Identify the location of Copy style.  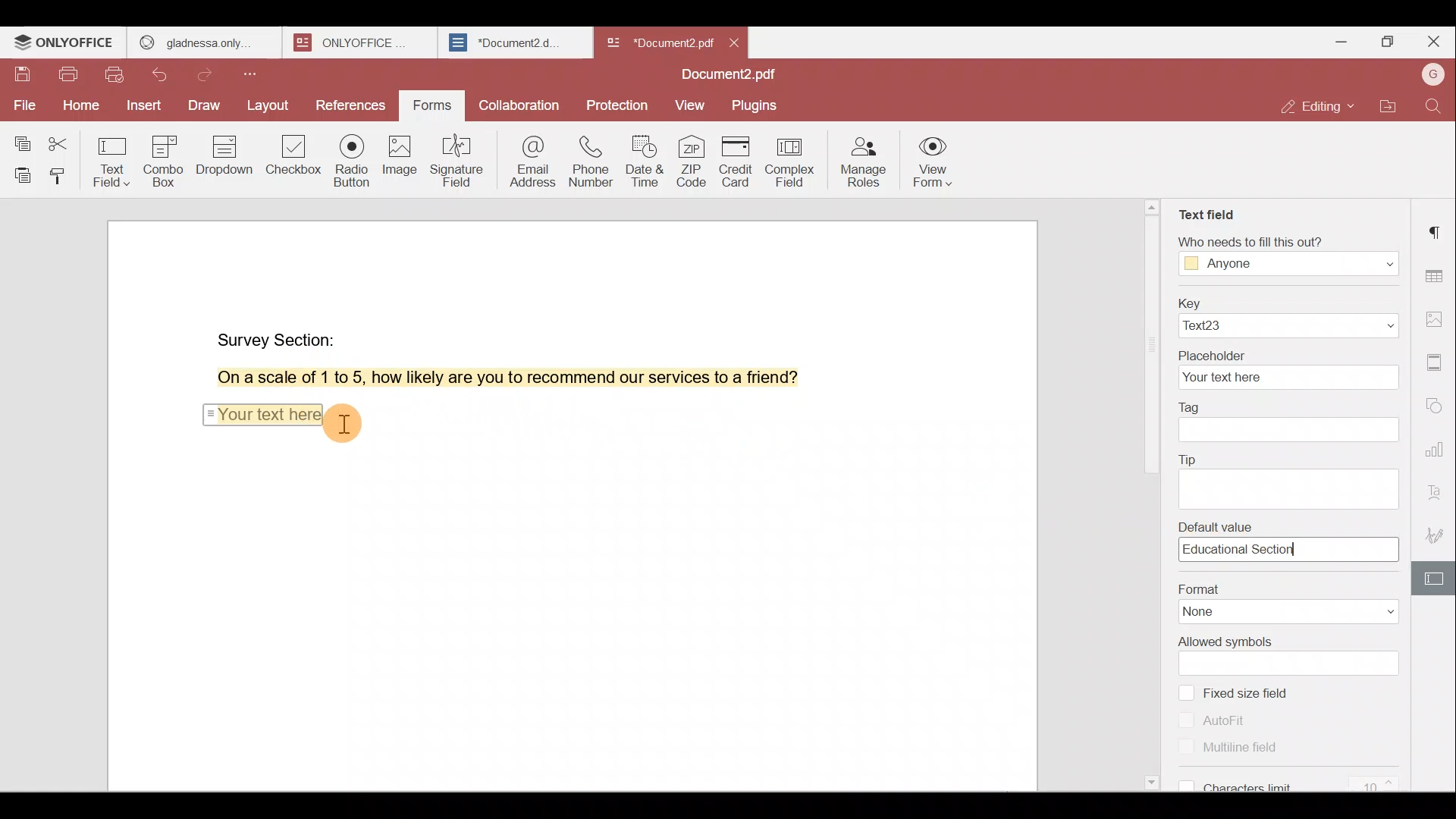
(61, 175).